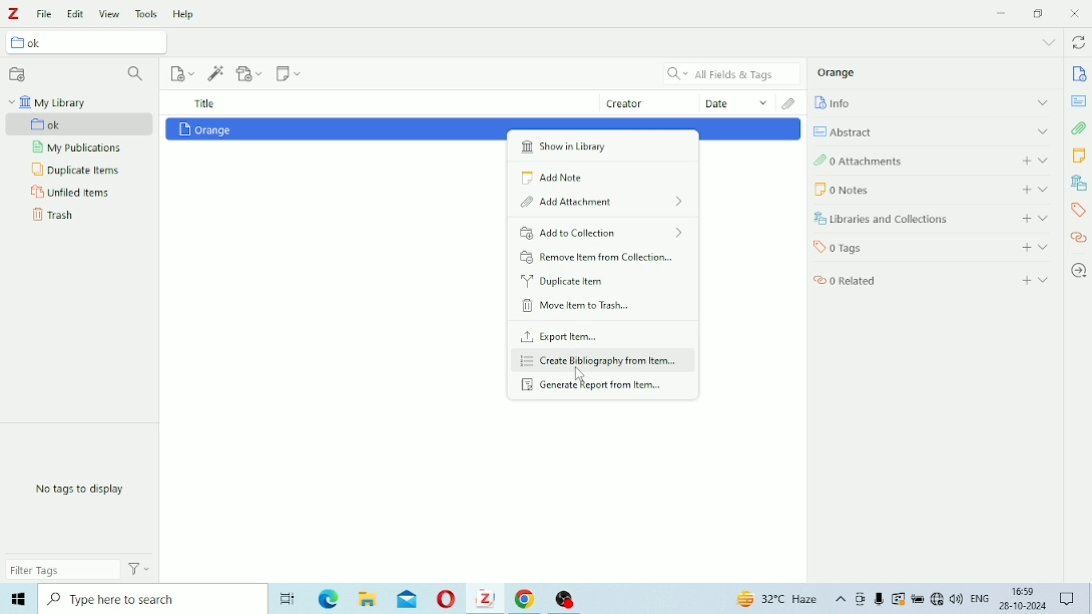 The width and height of the screenshot is (1092, 614). Describe the element at coordinates (140, 568) in the screenshot. I see `Actions` at that location.